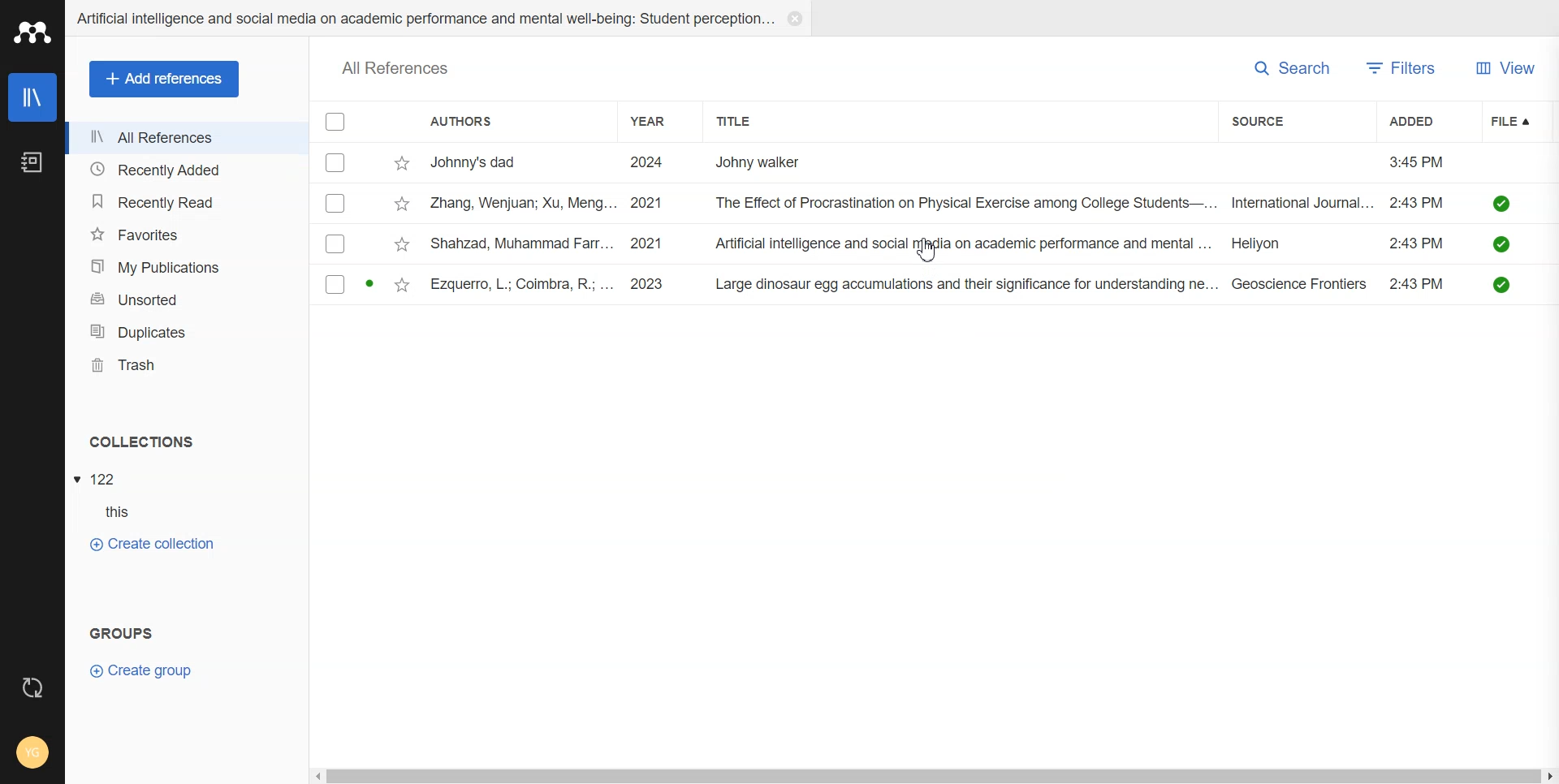 The image size is (1559, 784). What do you see at coordinates (402, 246) in the screenshot?
I see `star` at bounding box center [402, 246].